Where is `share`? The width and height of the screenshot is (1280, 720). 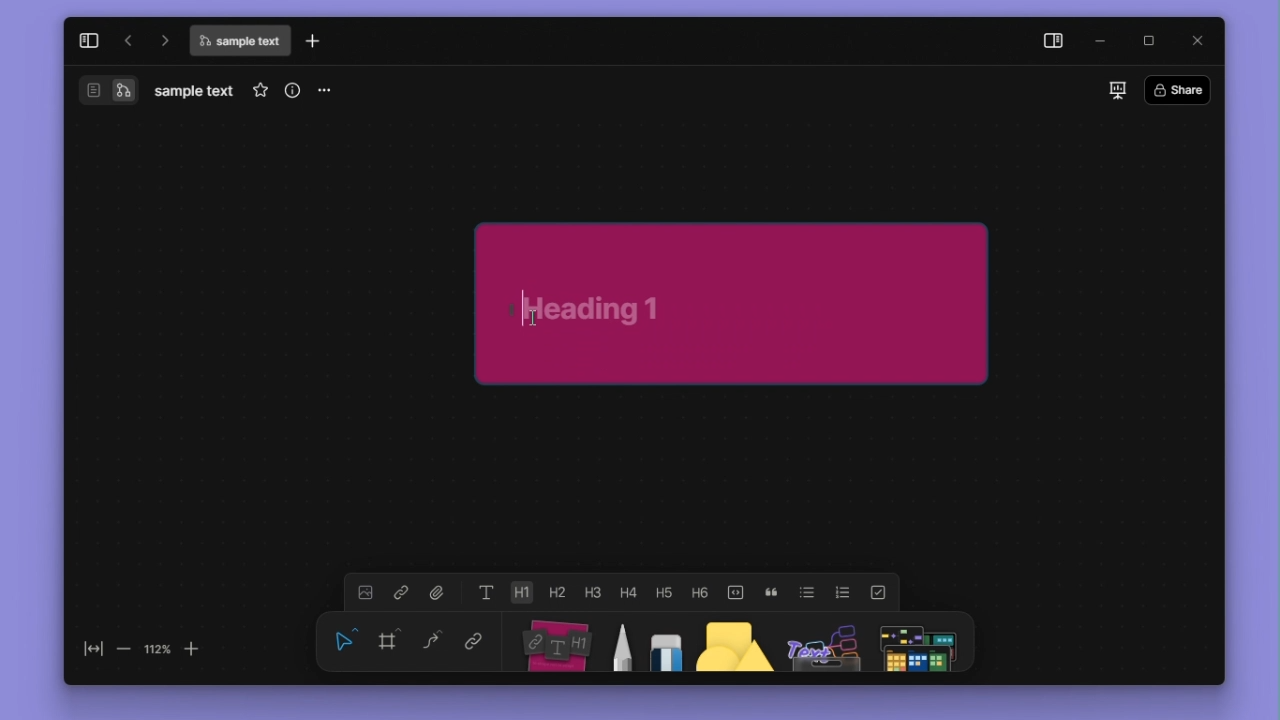
share is located at coordinates (1178, 89).